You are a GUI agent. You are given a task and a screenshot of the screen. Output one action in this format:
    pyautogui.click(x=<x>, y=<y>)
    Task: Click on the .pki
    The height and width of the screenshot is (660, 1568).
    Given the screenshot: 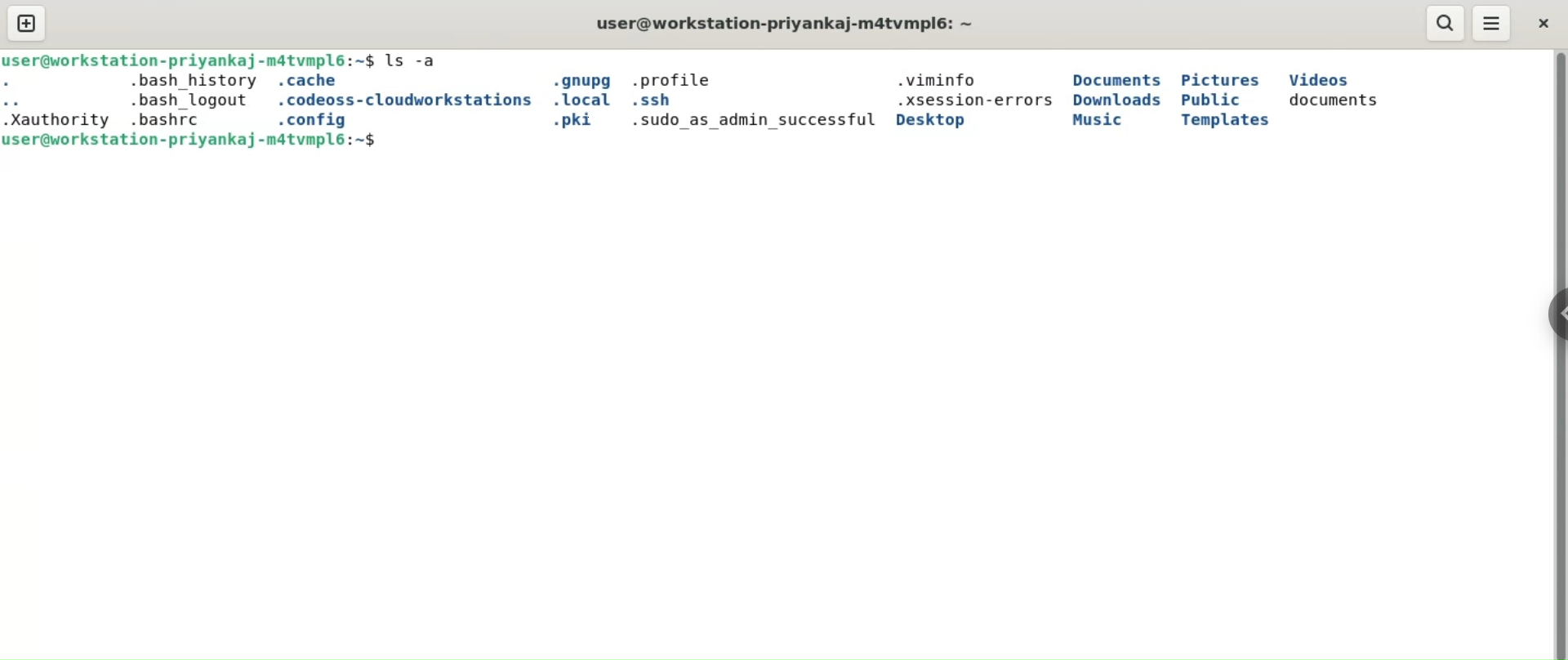 What is the action you would take?
    pyautogui.click(x=581, y=122)
    